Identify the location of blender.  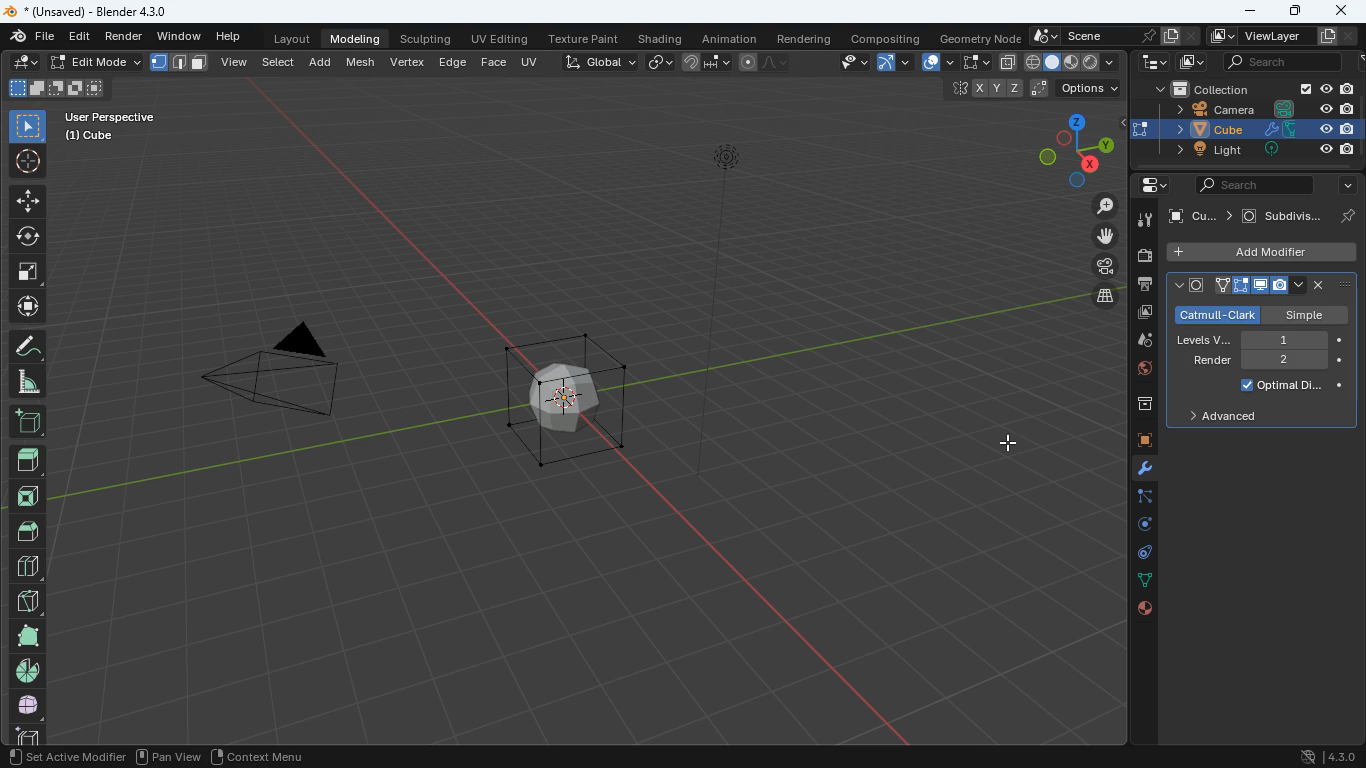
(85, 10).